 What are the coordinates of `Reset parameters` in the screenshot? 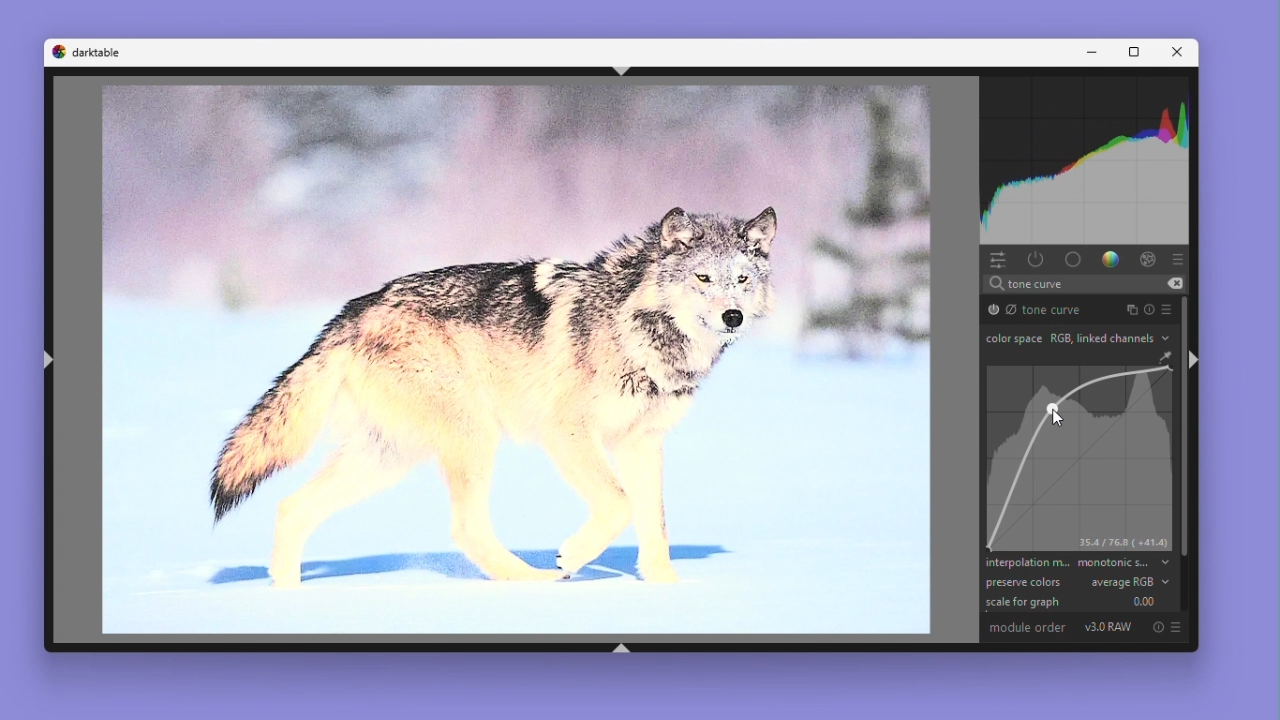 It's located at (1150, 309).